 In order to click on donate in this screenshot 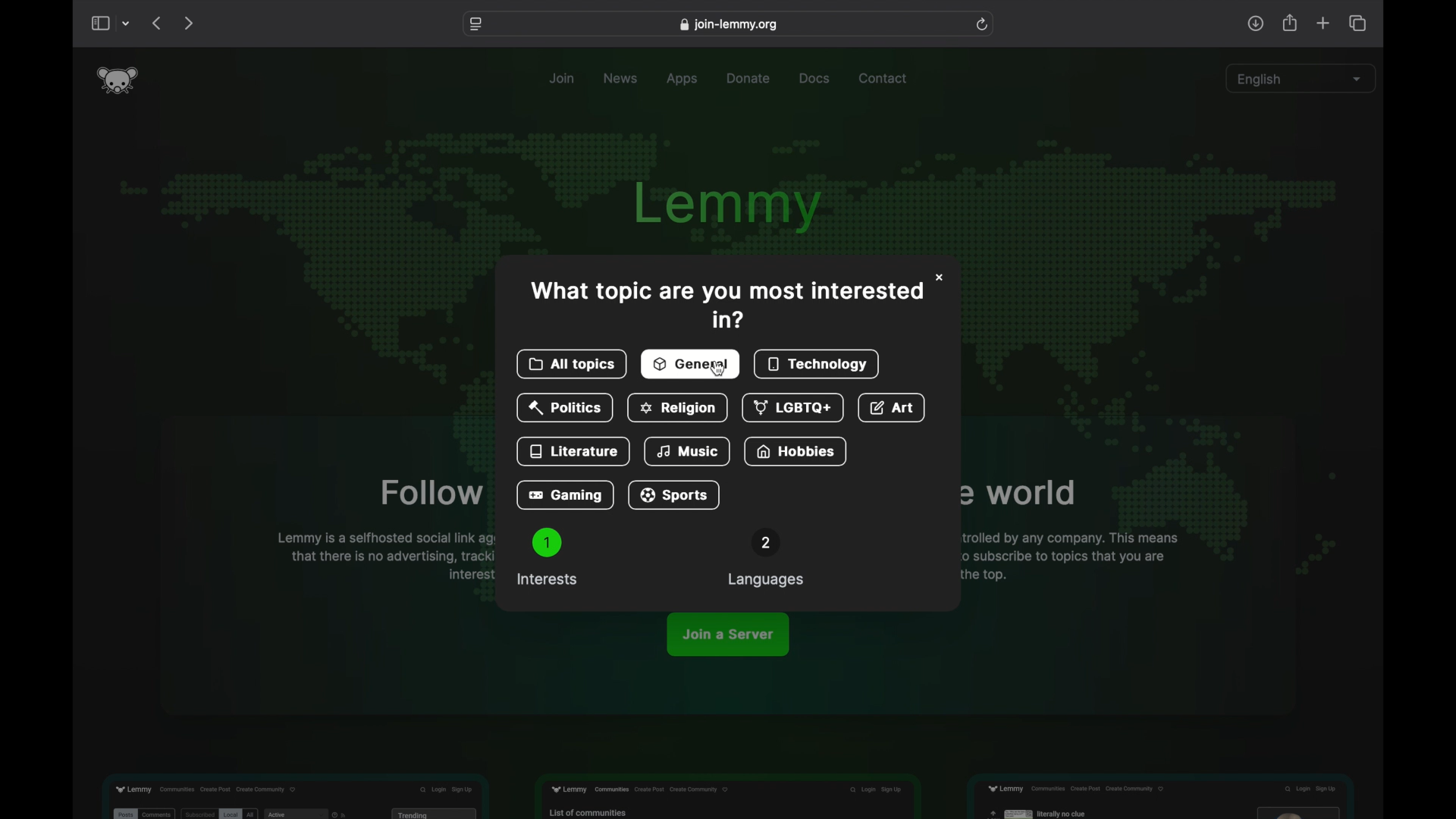, I will do `click(751, 79)`.